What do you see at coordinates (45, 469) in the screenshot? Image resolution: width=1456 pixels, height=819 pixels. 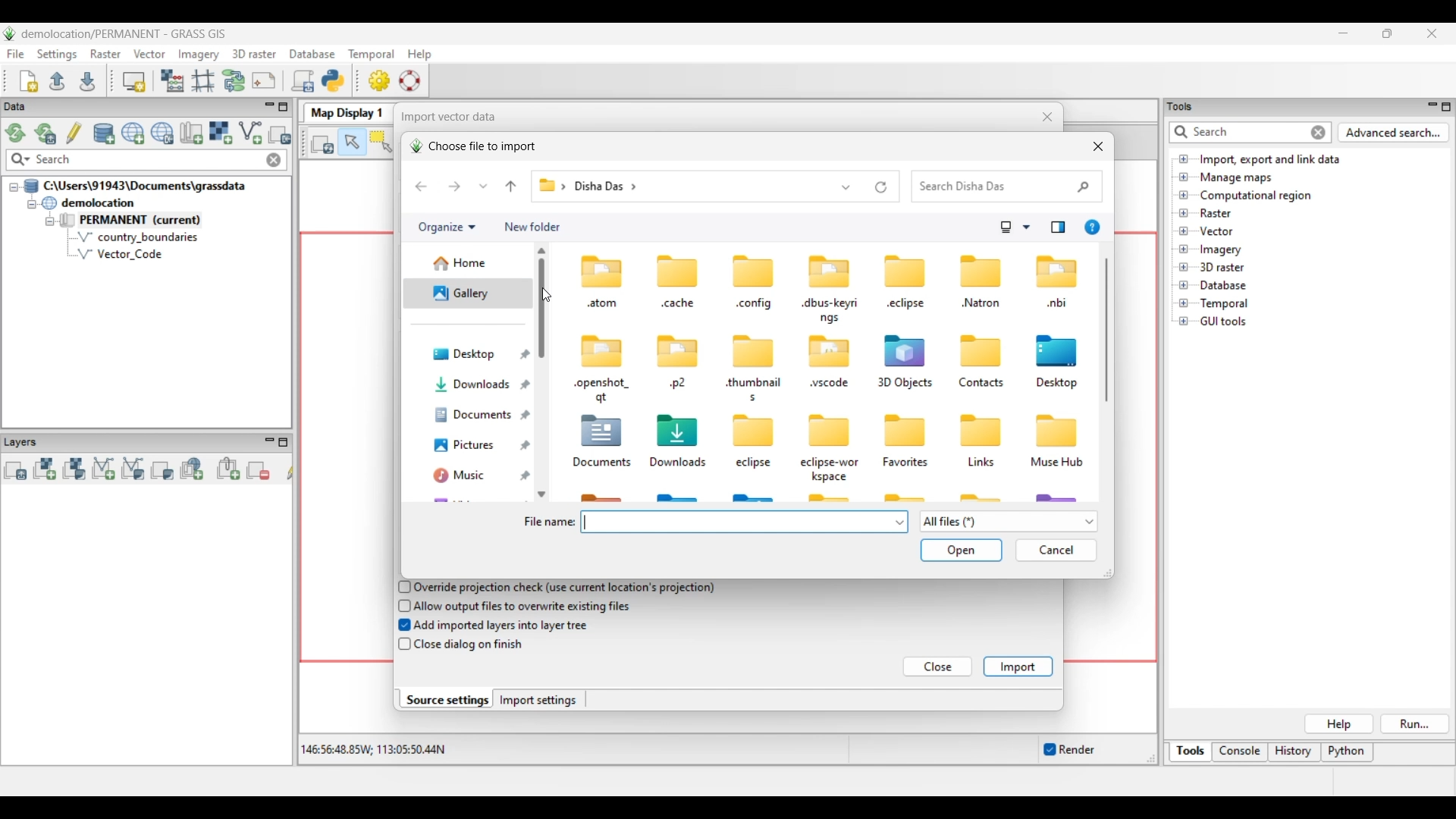 I see `Add raster map layer` at bounding box center [45, 469].